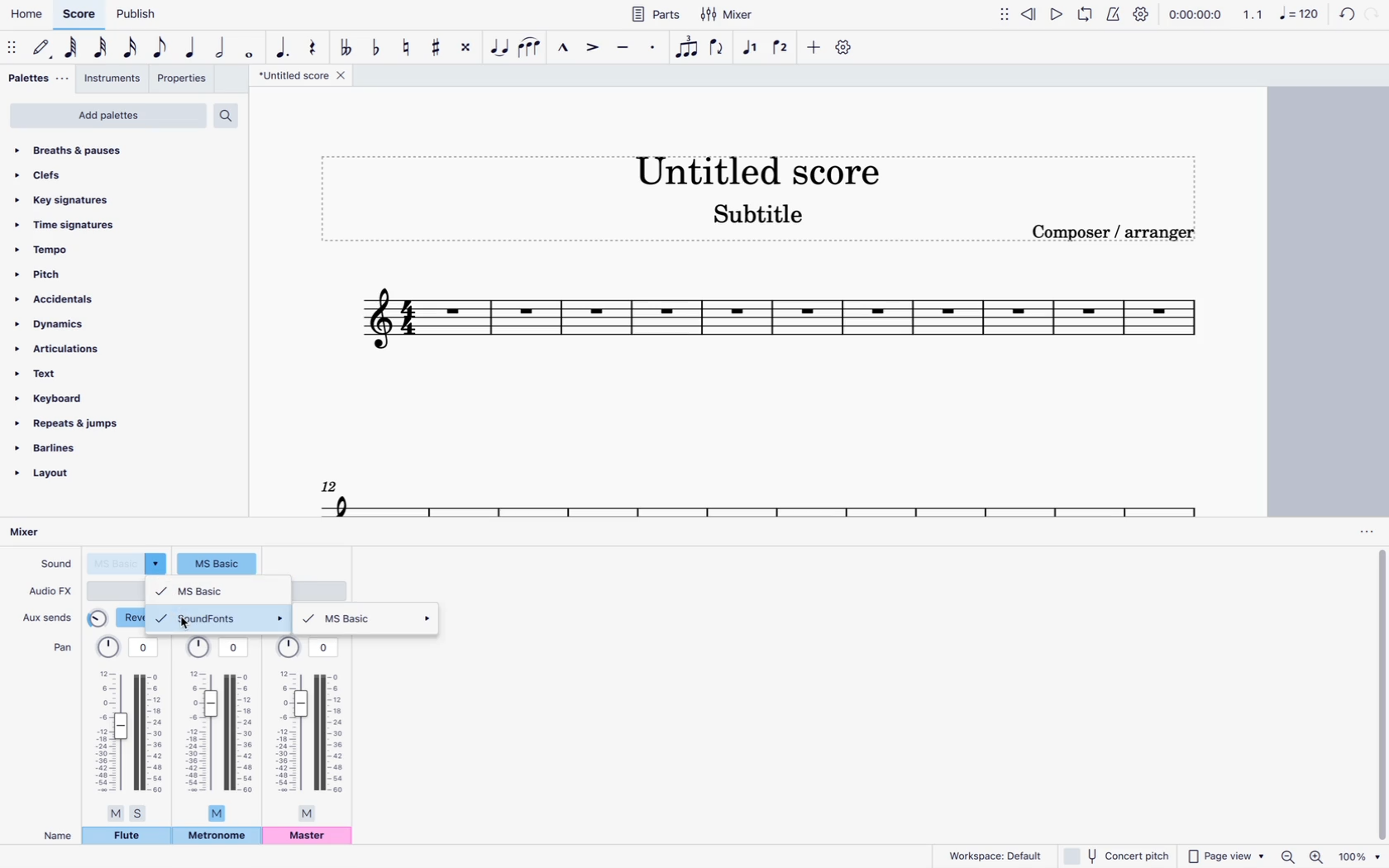 This screenshot has height=868, width=1389. I want to click on sound, so click(54, 562).